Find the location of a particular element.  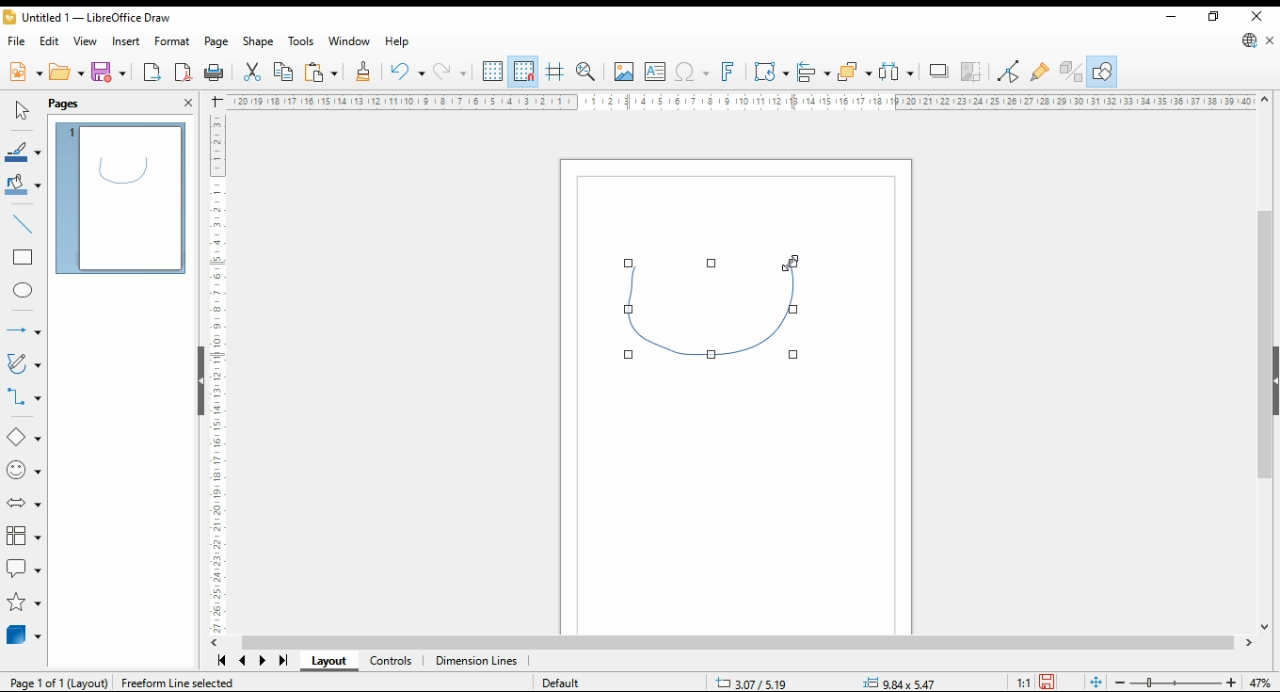

first page is located at coordinates (221, 660).